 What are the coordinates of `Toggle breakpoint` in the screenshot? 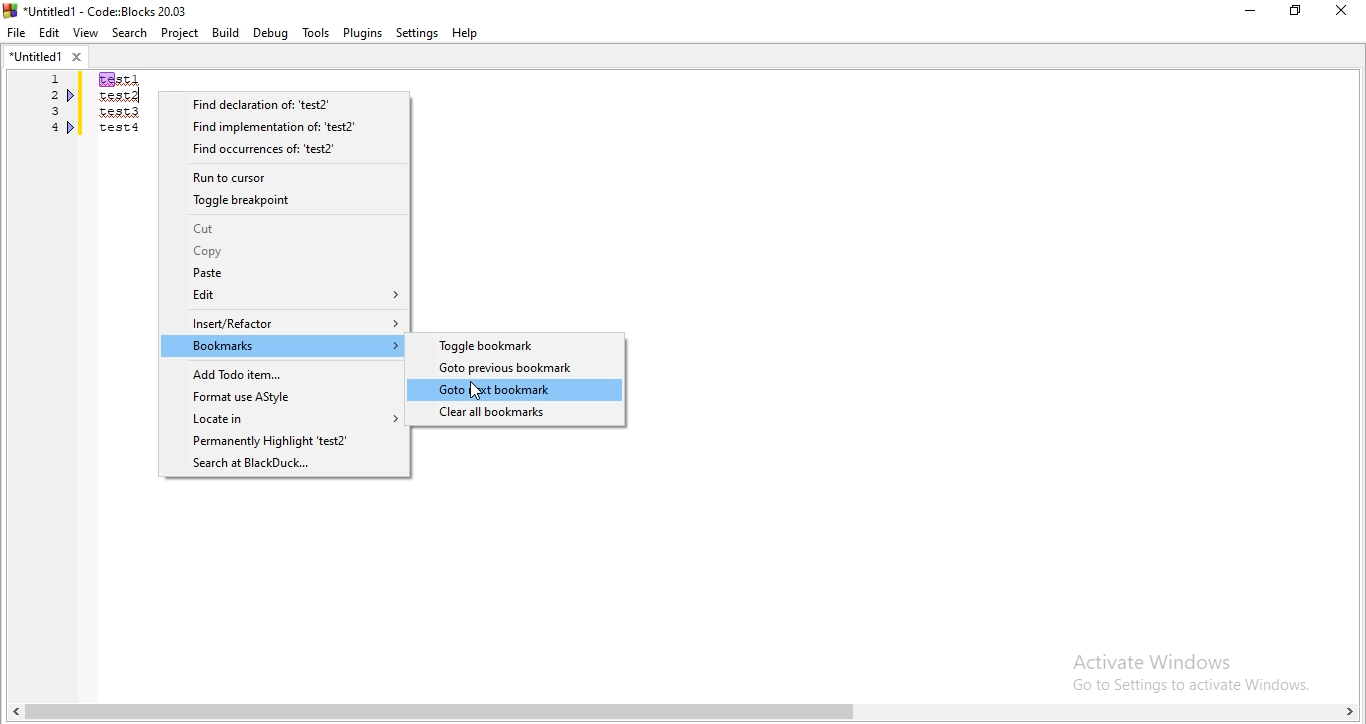 It's located at (284, 204).